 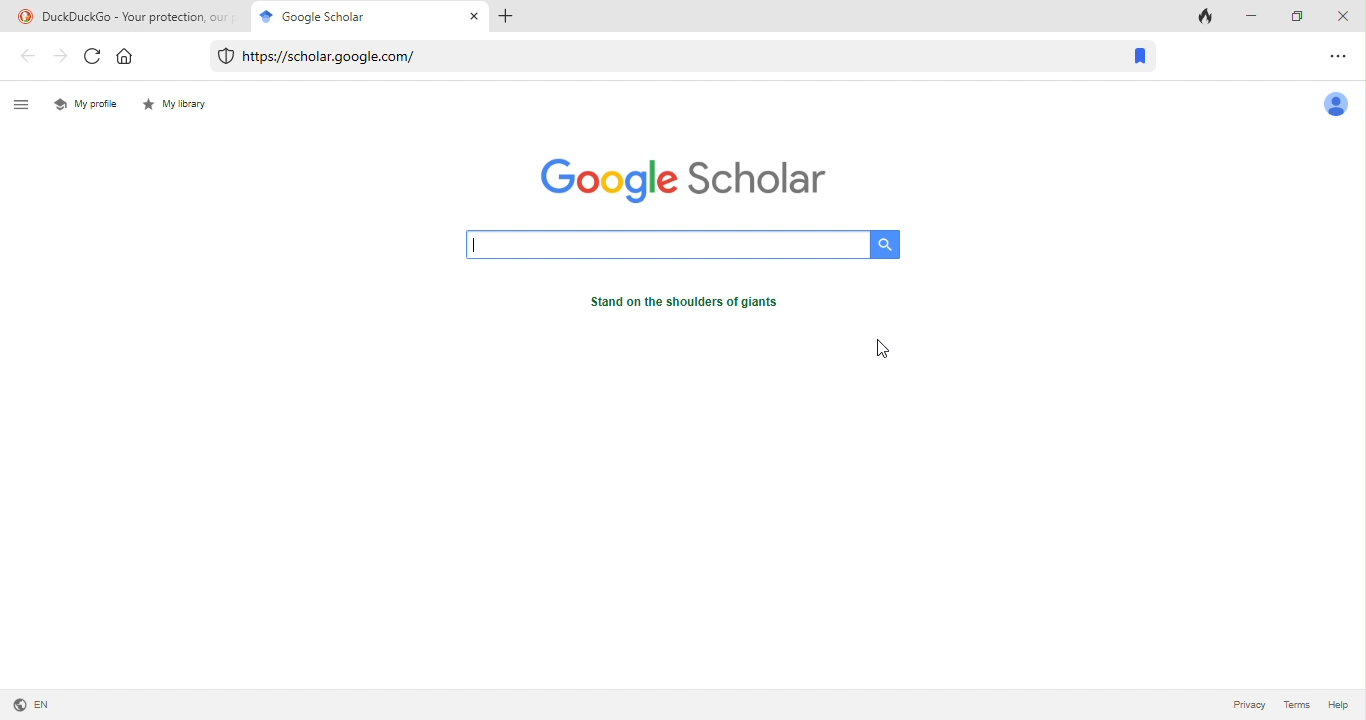 I want to click on refresh, so click(x=94, y=59).